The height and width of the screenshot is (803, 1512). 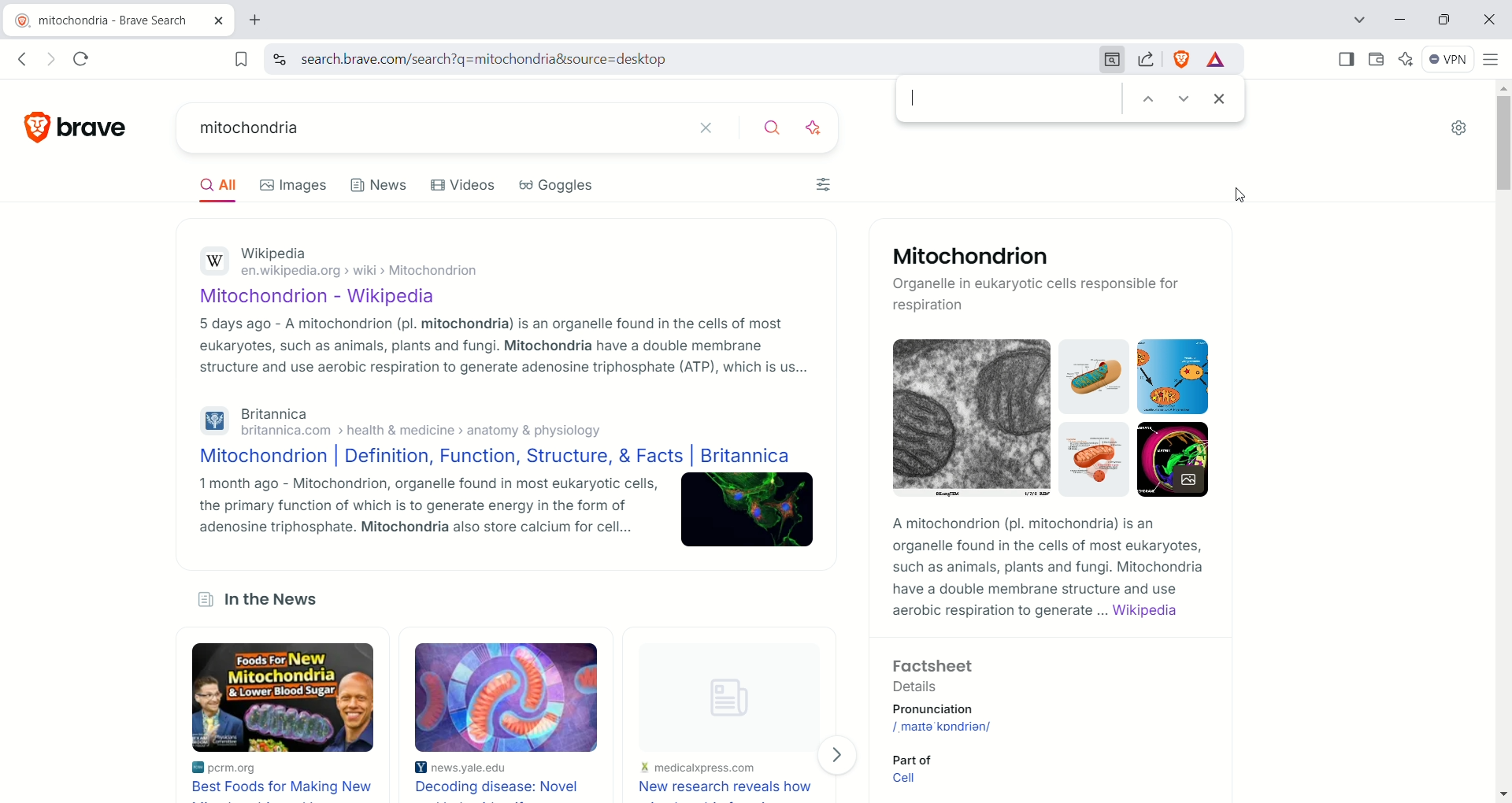 I want to click on search, so click(x=774, y=128).